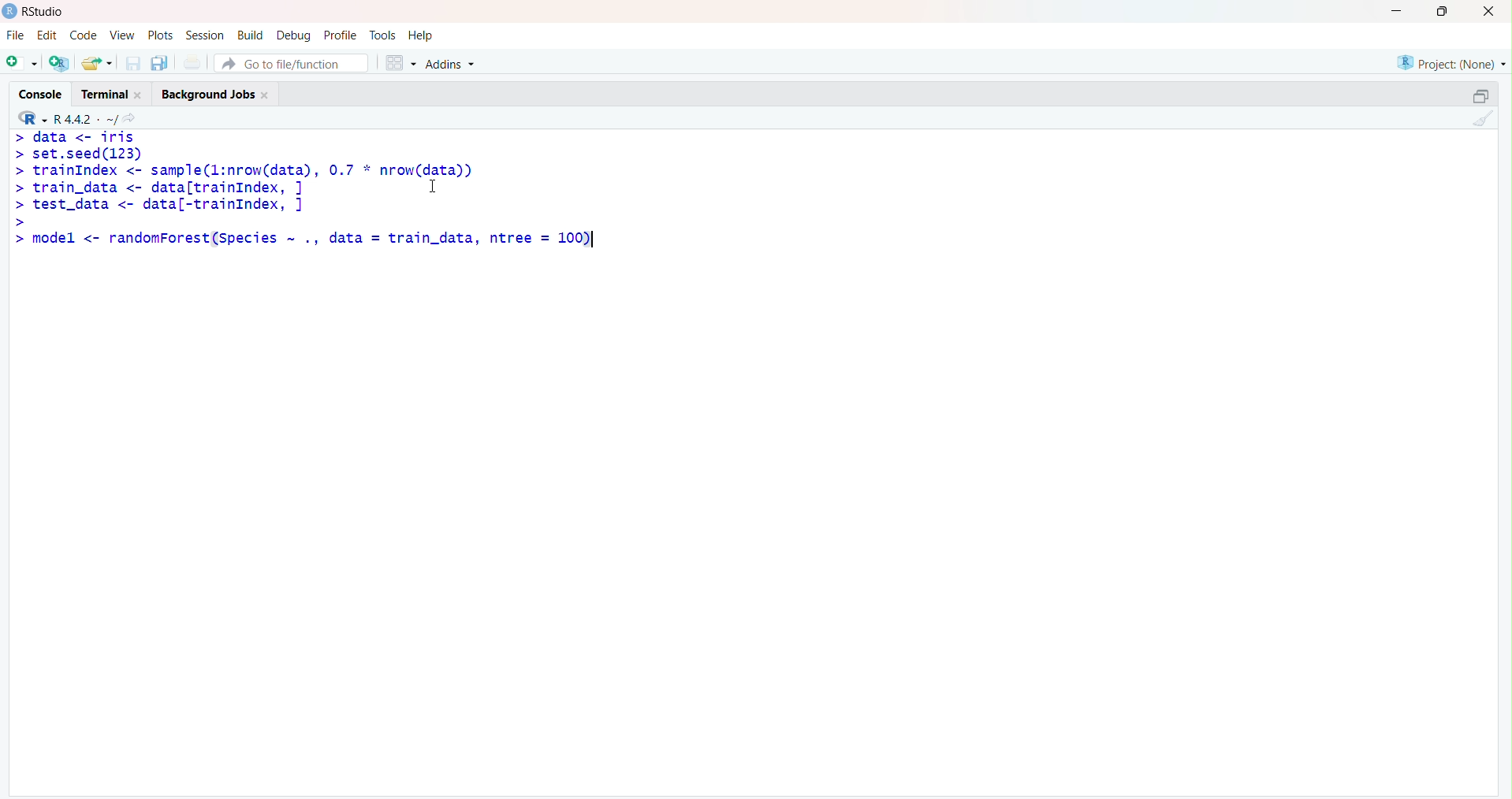 Image resolution: width=1512 pixels, height=799 pixels. Describe the element at coordinates (205, 36) in the screenshot. I see `Session` at that location.